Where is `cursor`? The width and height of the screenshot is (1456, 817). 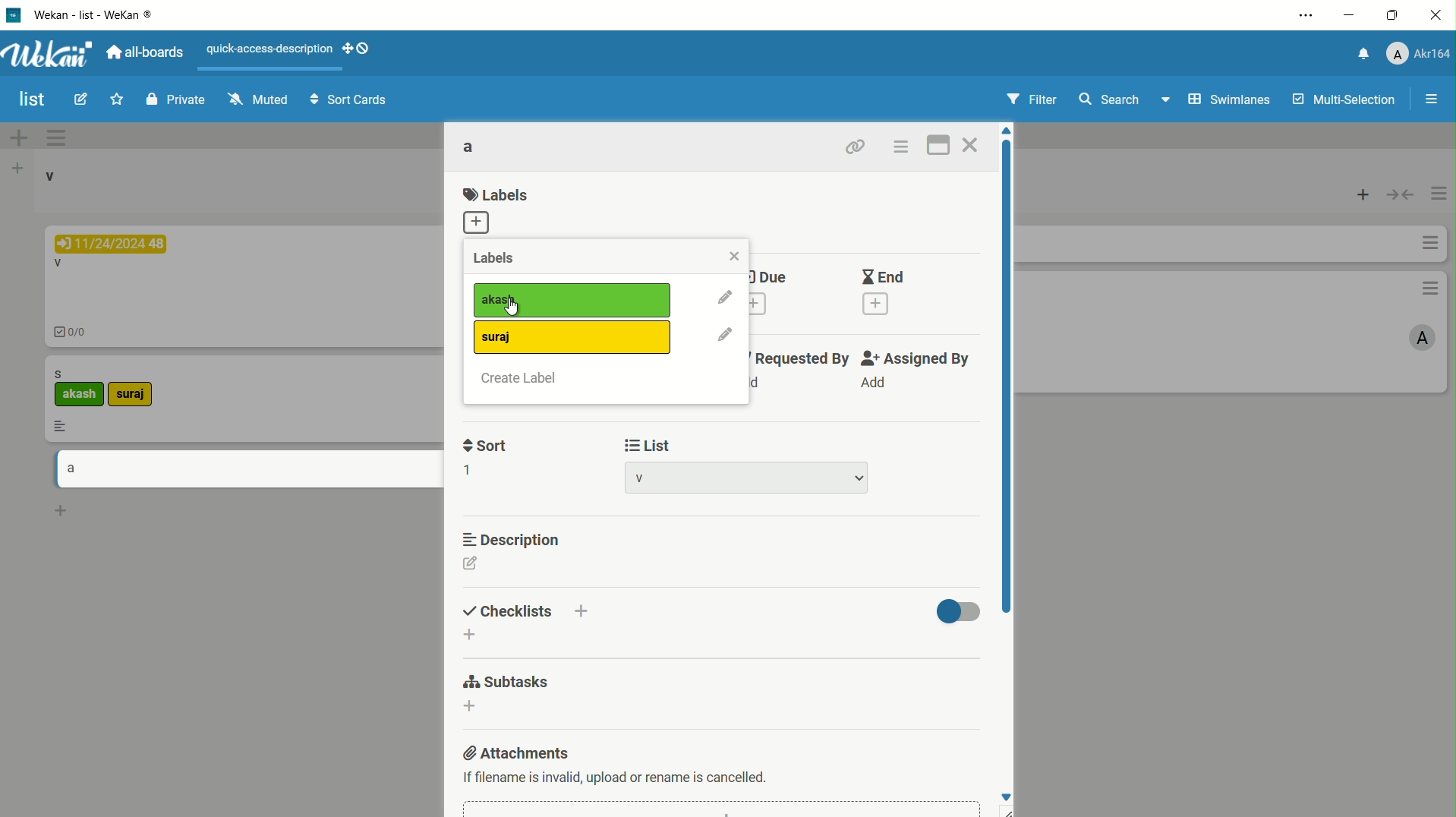 cursor is located at coordinates (514, 308).